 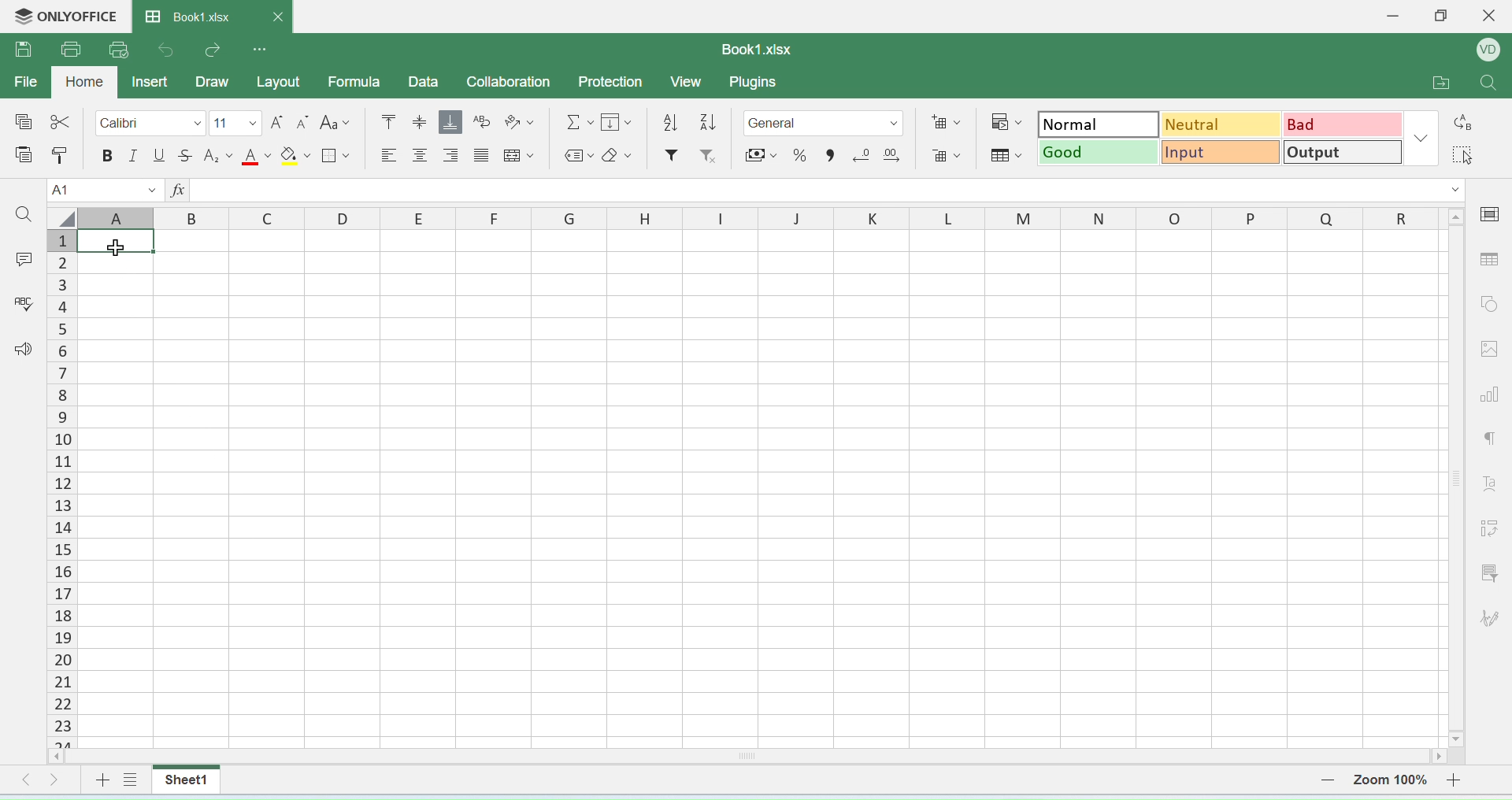 I want to click on add decimal point, so click(x=889, y=154).